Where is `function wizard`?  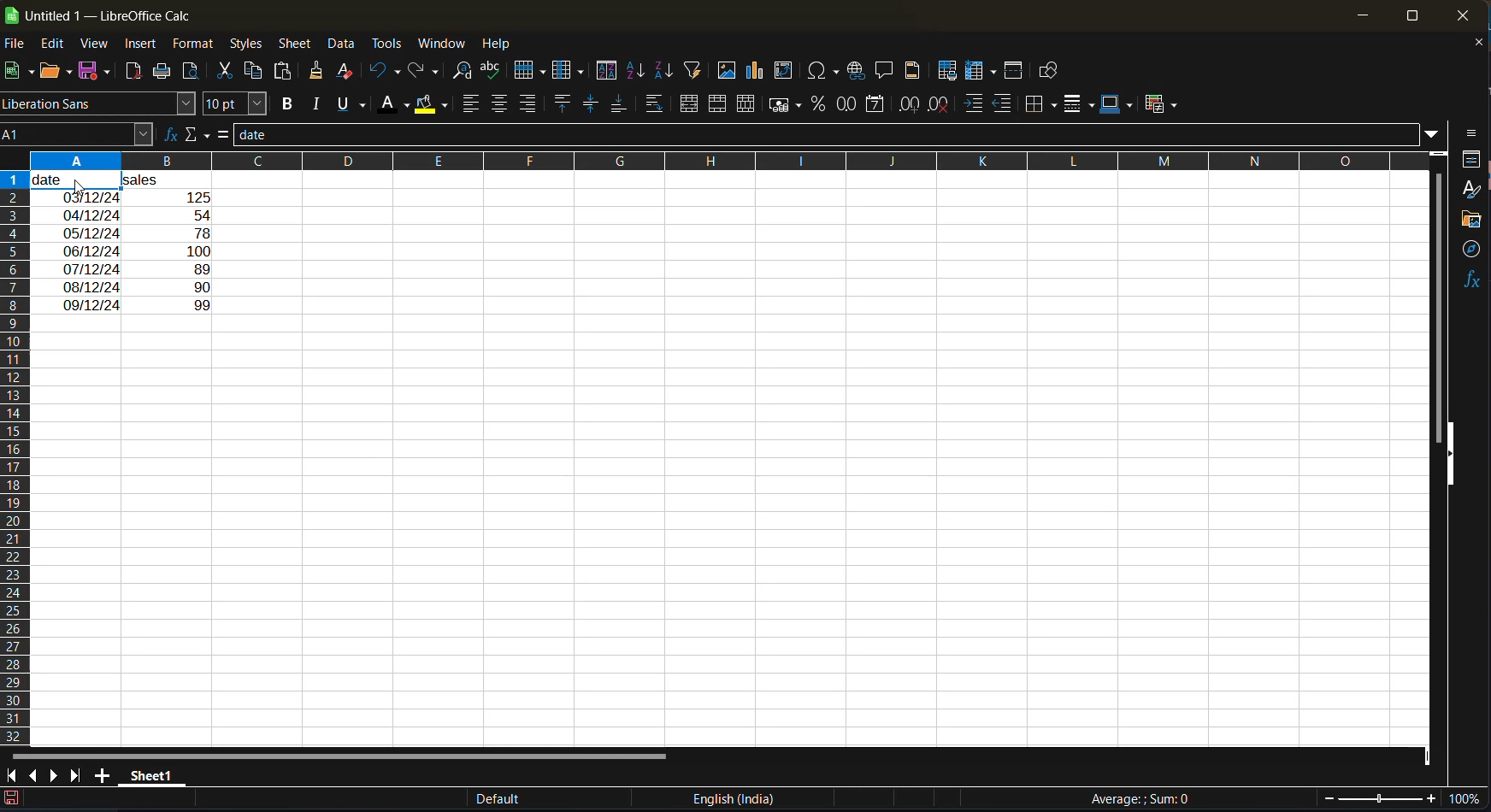 function wizard is located at coordinates (170, 137).